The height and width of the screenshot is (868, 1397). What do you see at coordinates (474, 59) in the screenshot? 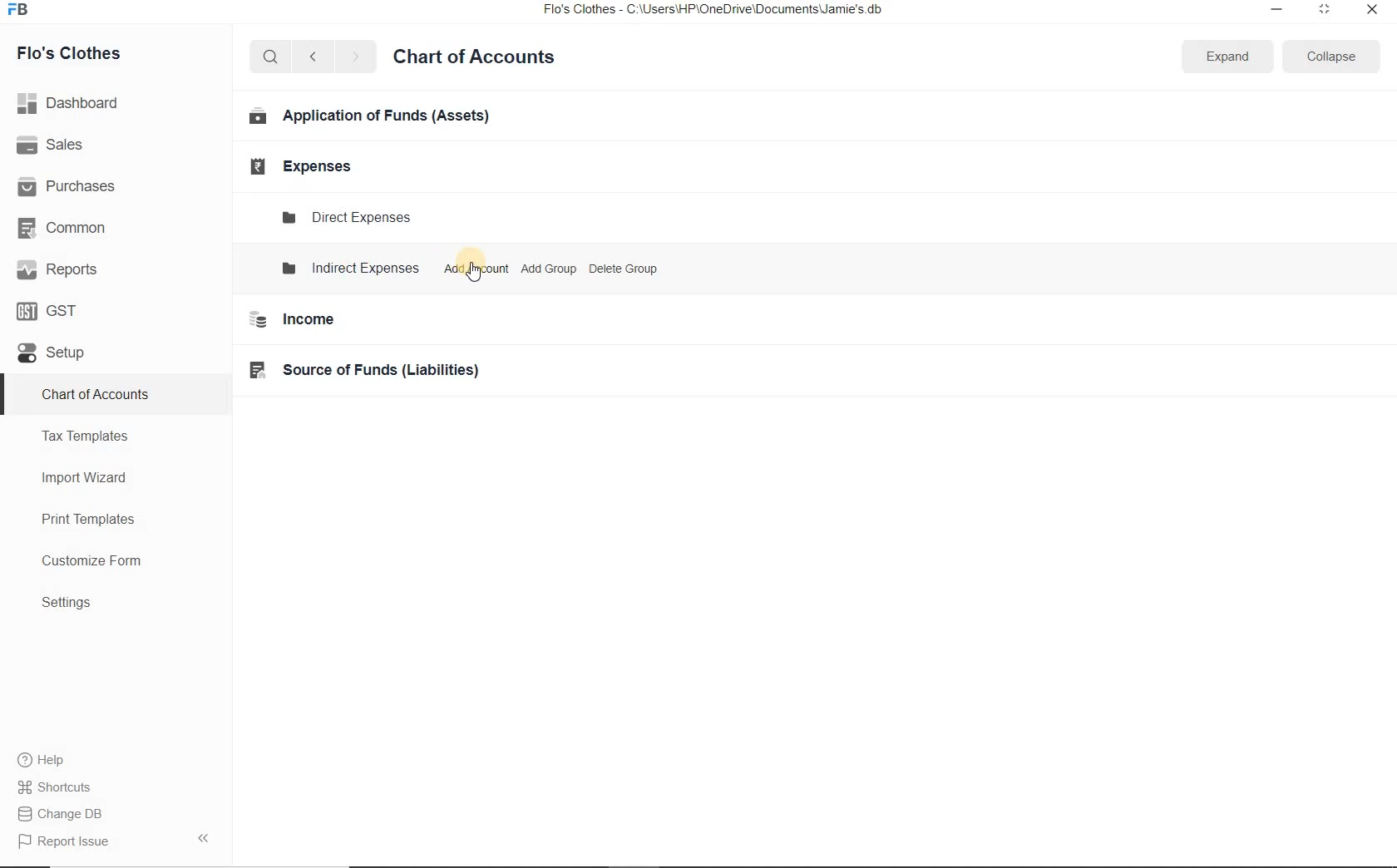
I see `Chart of Accounts` at bounding box center [474, 59].